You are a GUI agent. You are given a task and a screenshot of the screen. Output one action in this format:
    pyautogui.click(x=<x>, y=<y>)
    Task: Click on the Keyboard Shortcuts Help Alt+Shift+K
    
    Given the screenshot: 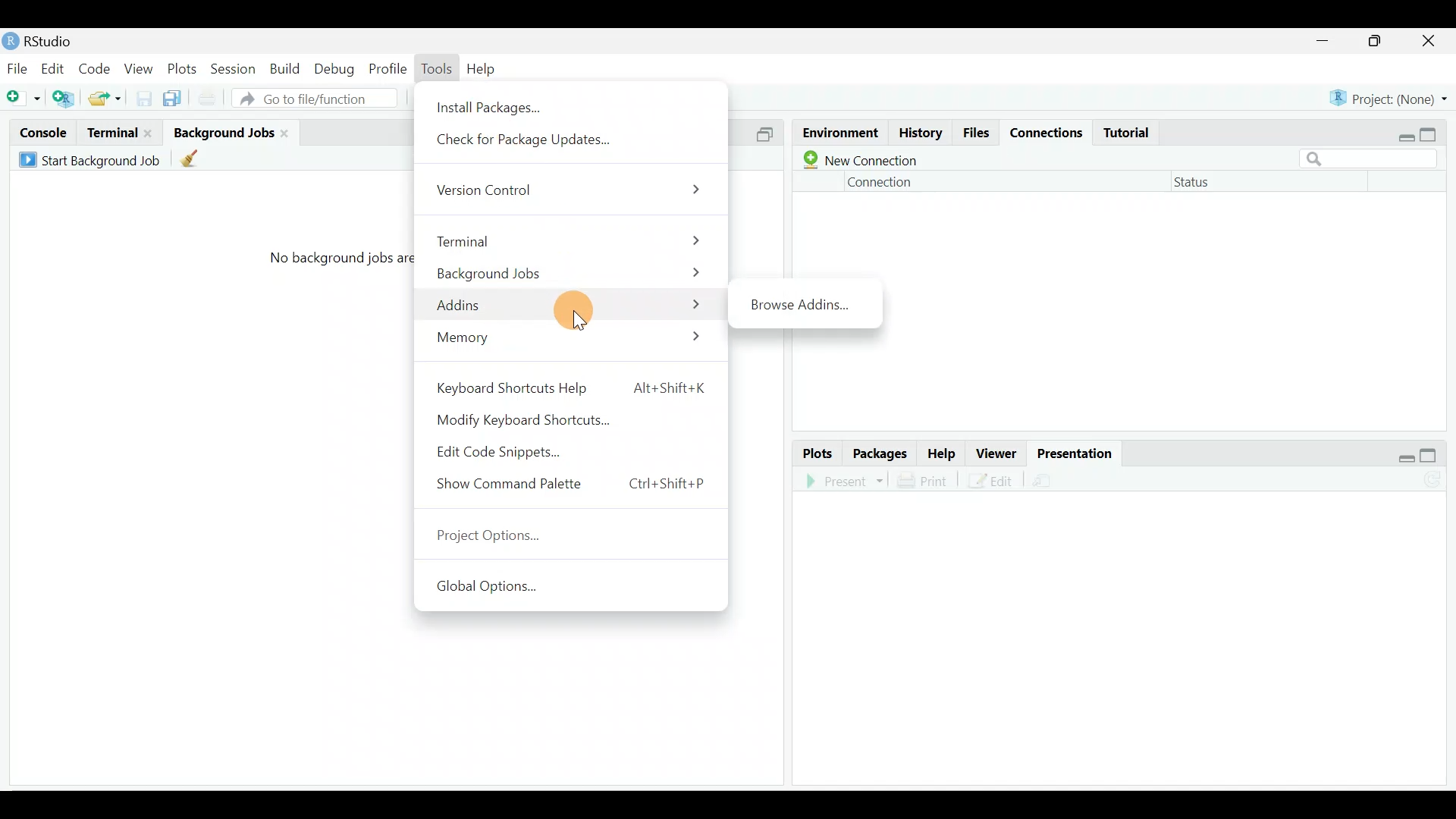 What is the action you would take?
    pyautogui.click(x=570, y=387)
    